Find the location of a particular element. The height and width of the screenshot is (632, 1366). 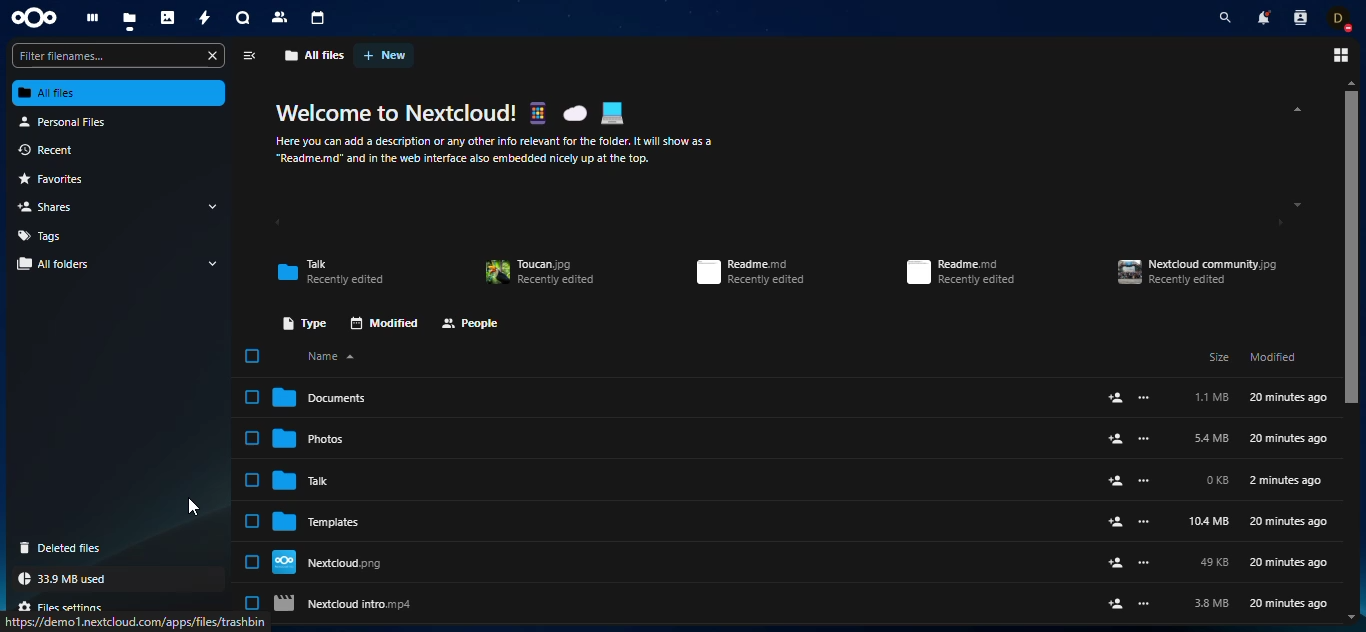

Scroll up is located at coordinates (1291, 109).